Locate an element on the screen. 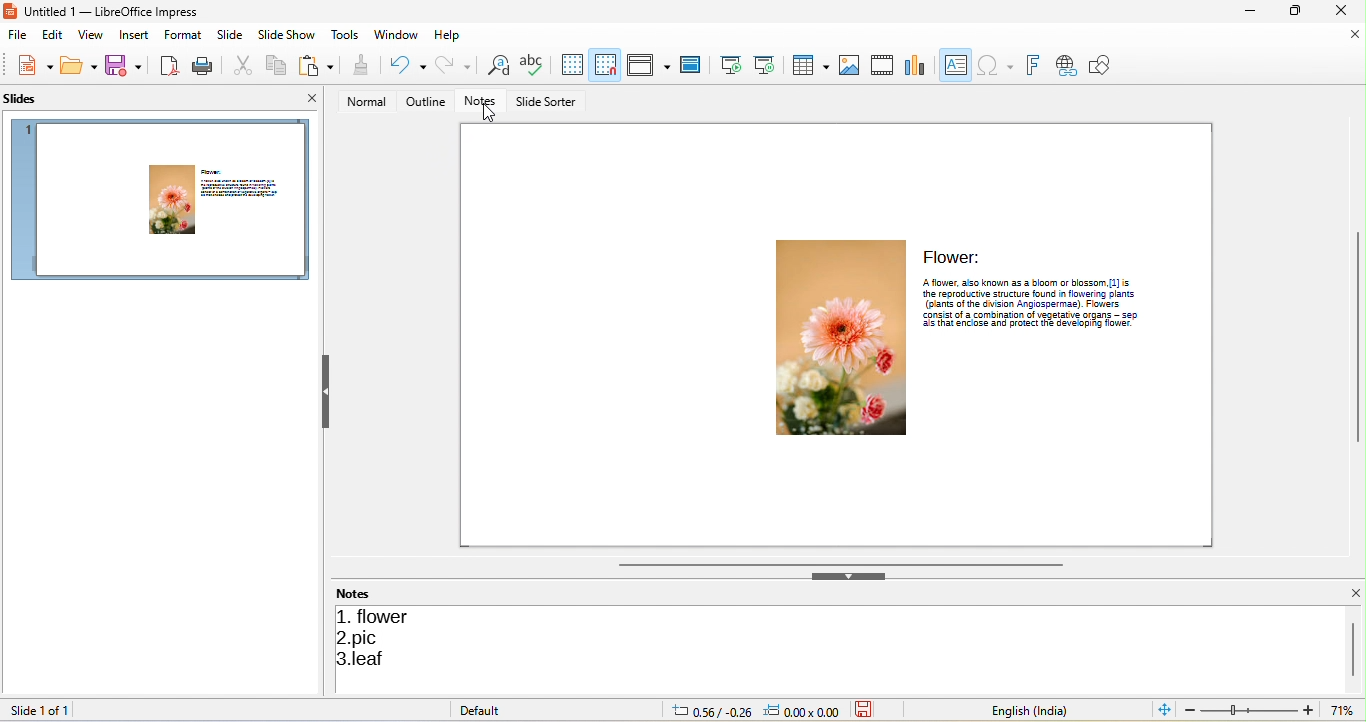 This screenshot has height=722, width=1366. 0.00x0.00 is located at coordinates (805, 711).